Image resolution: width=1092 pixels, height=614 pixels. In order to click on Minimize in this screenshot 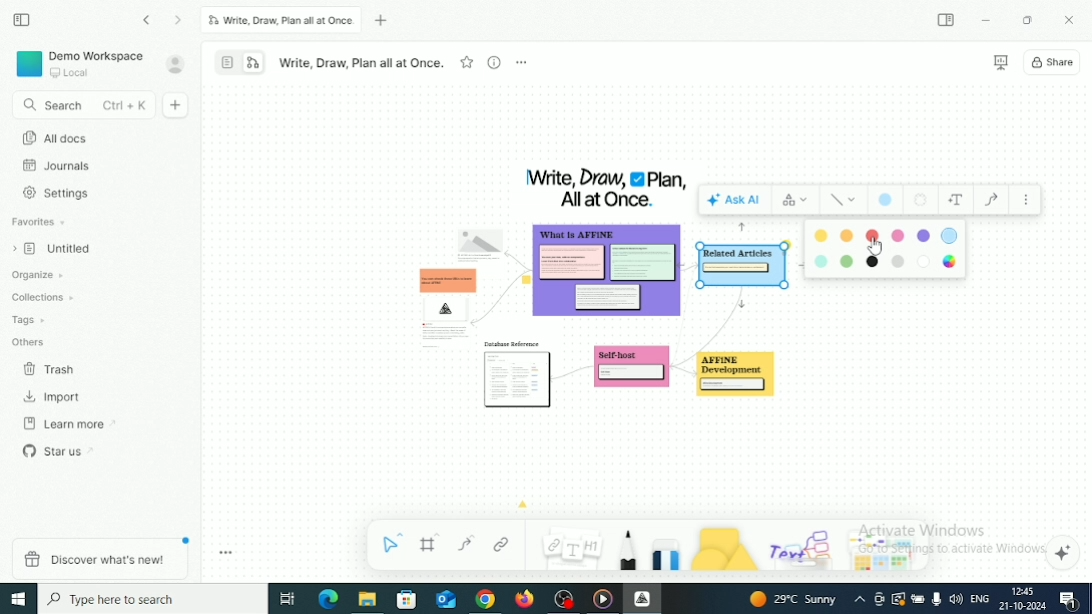, I will do `click(987, 21)`.